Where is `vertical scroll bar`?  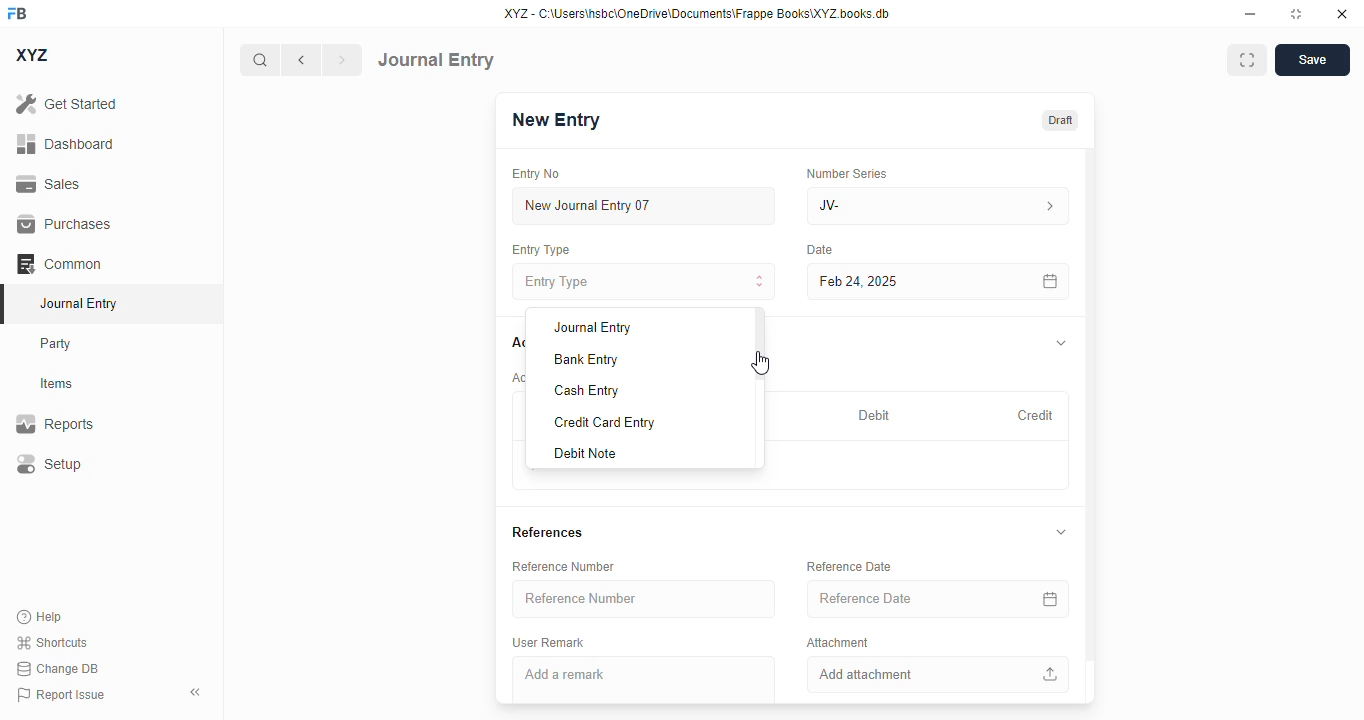
vertical scroll bar is located at coordinates (1090, 426).